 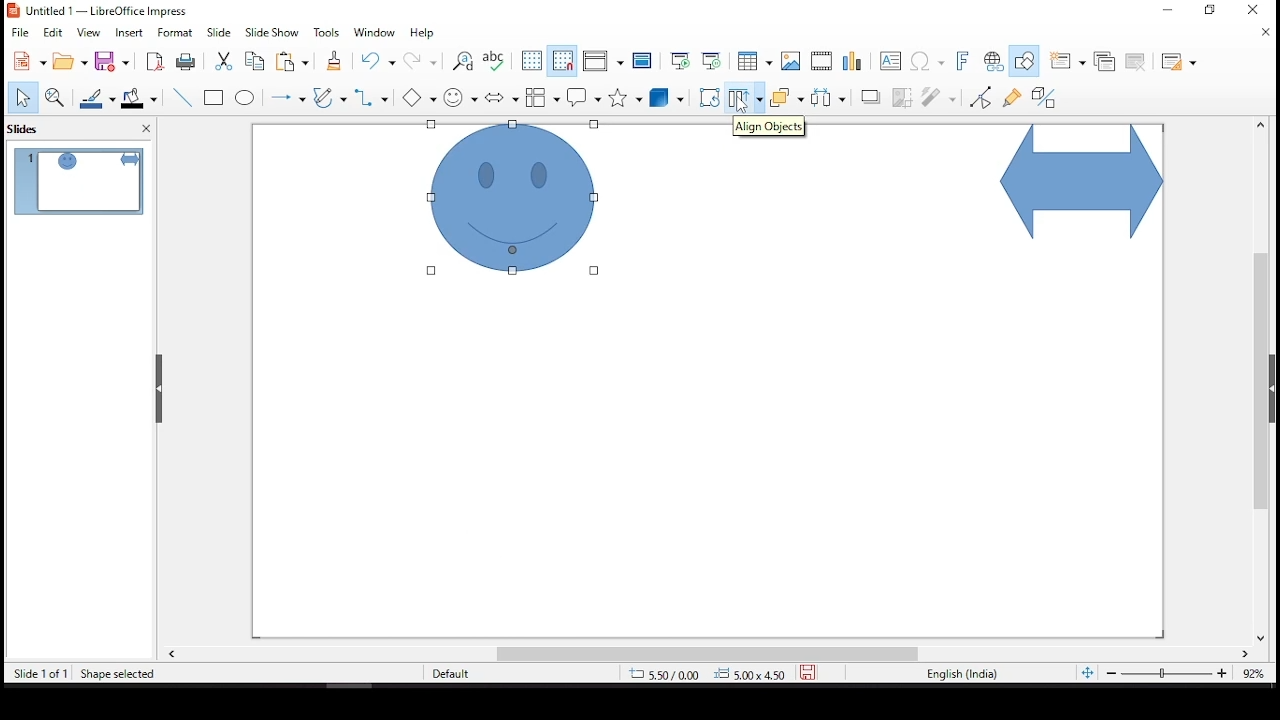 I want to click on 0.00x0.00, so click(x=749, y=673).